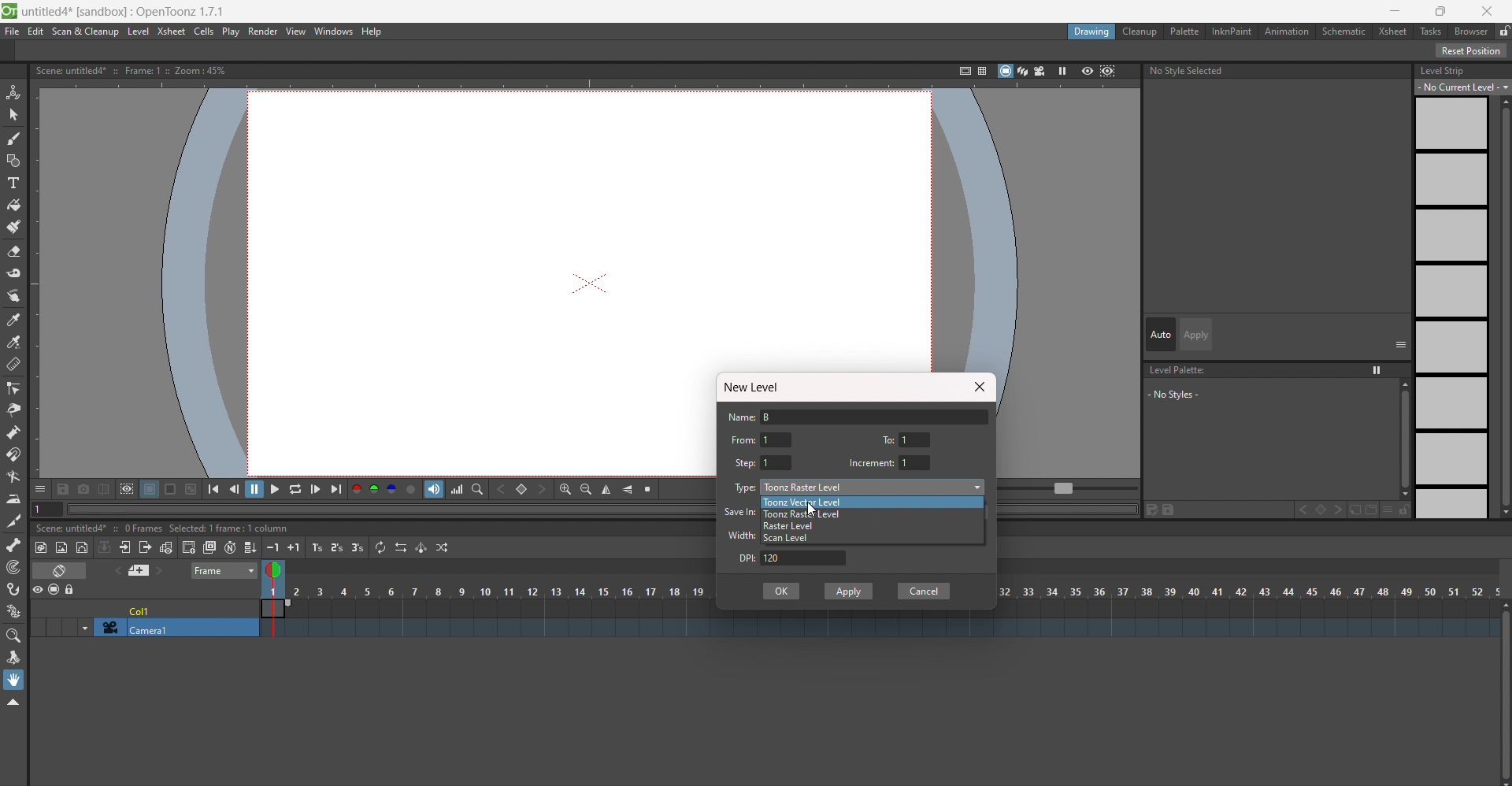  What do you see at coordinates (1092, 33) in the screenshot?
I see `drawing` at bounding box center [1092, 33].